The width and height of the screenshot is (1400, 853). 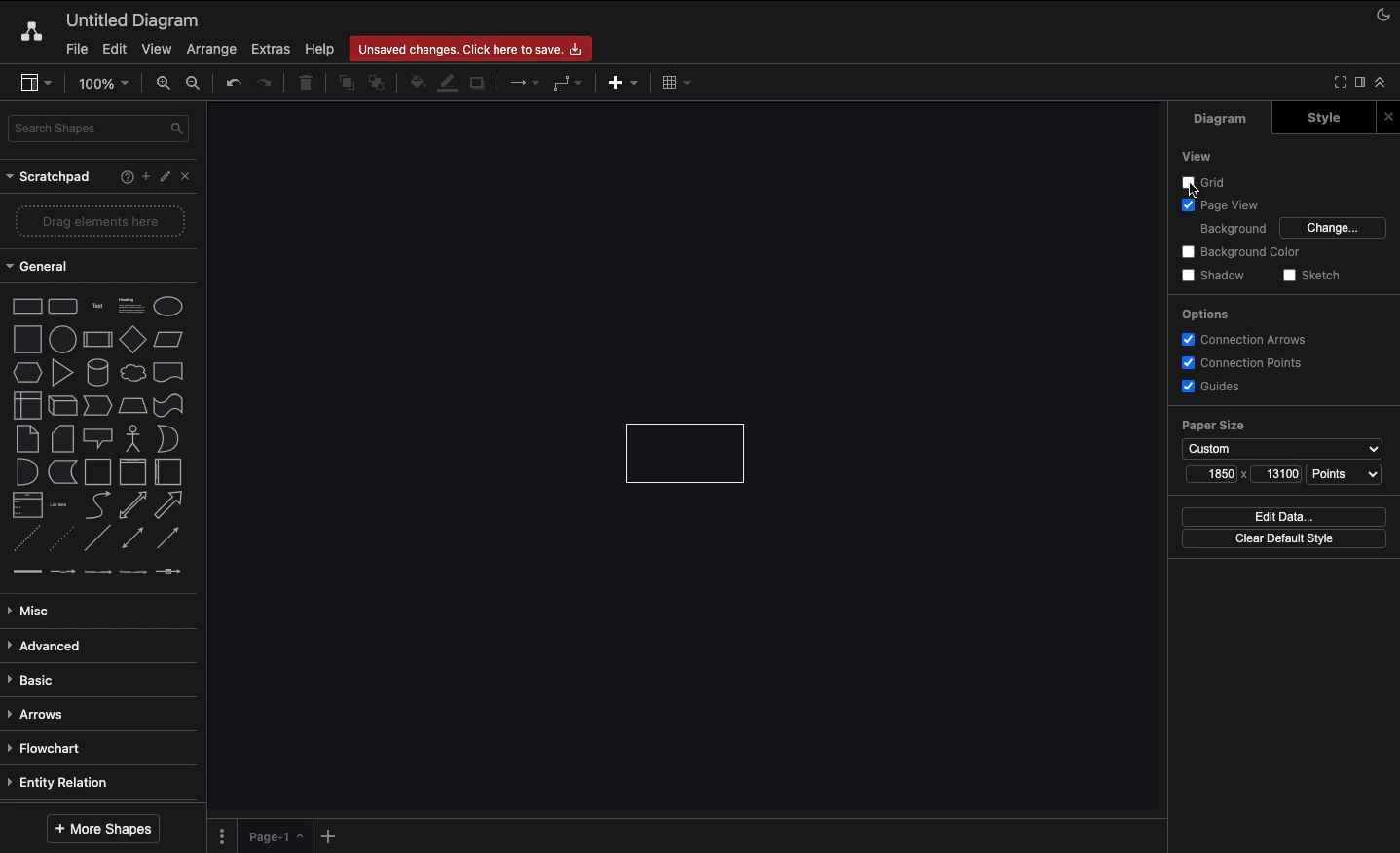 I want to click on View, so click(x=1193, y=154).